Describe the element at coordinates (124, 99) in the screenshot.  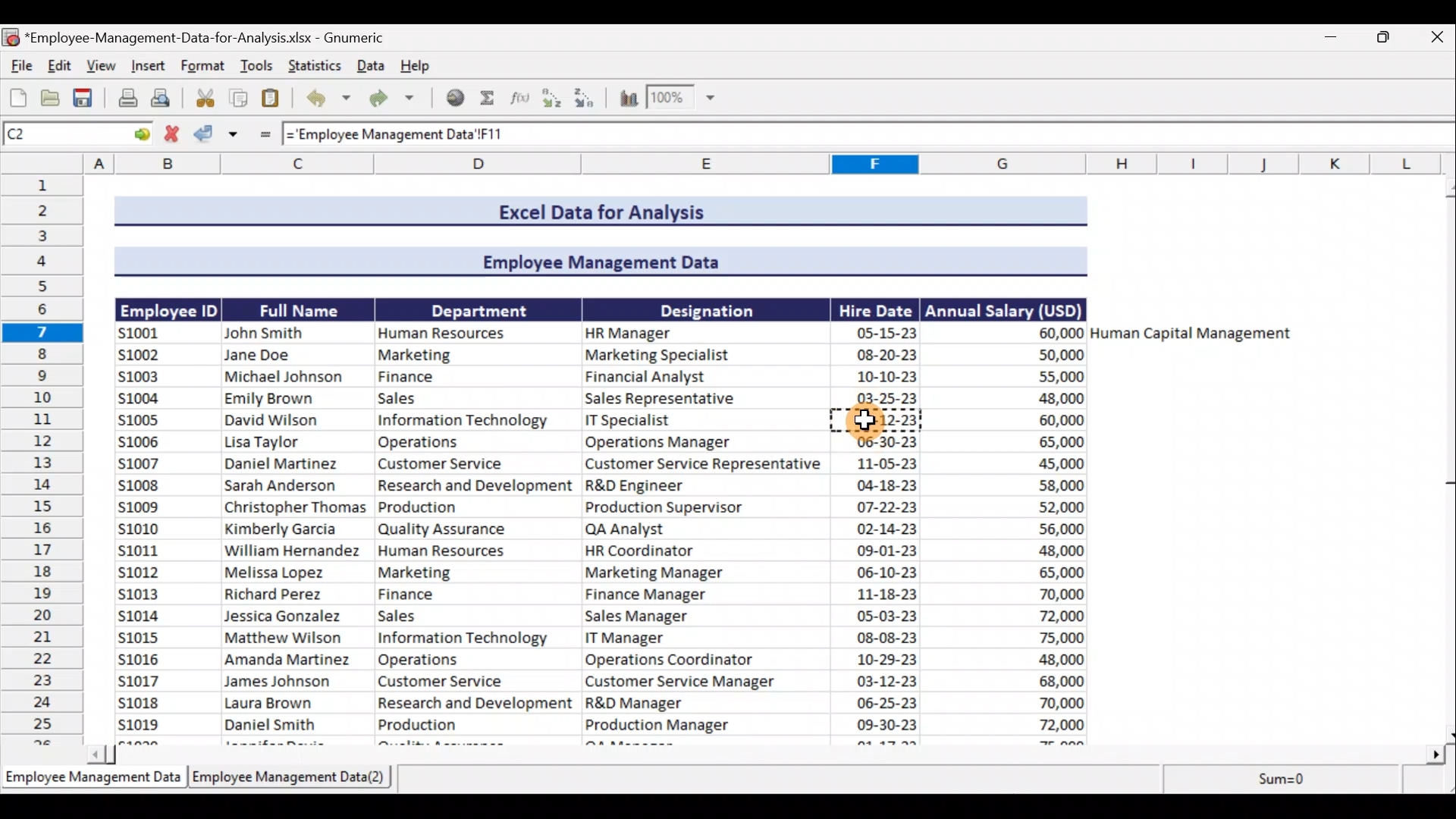
I see `Print the current file` at that location.